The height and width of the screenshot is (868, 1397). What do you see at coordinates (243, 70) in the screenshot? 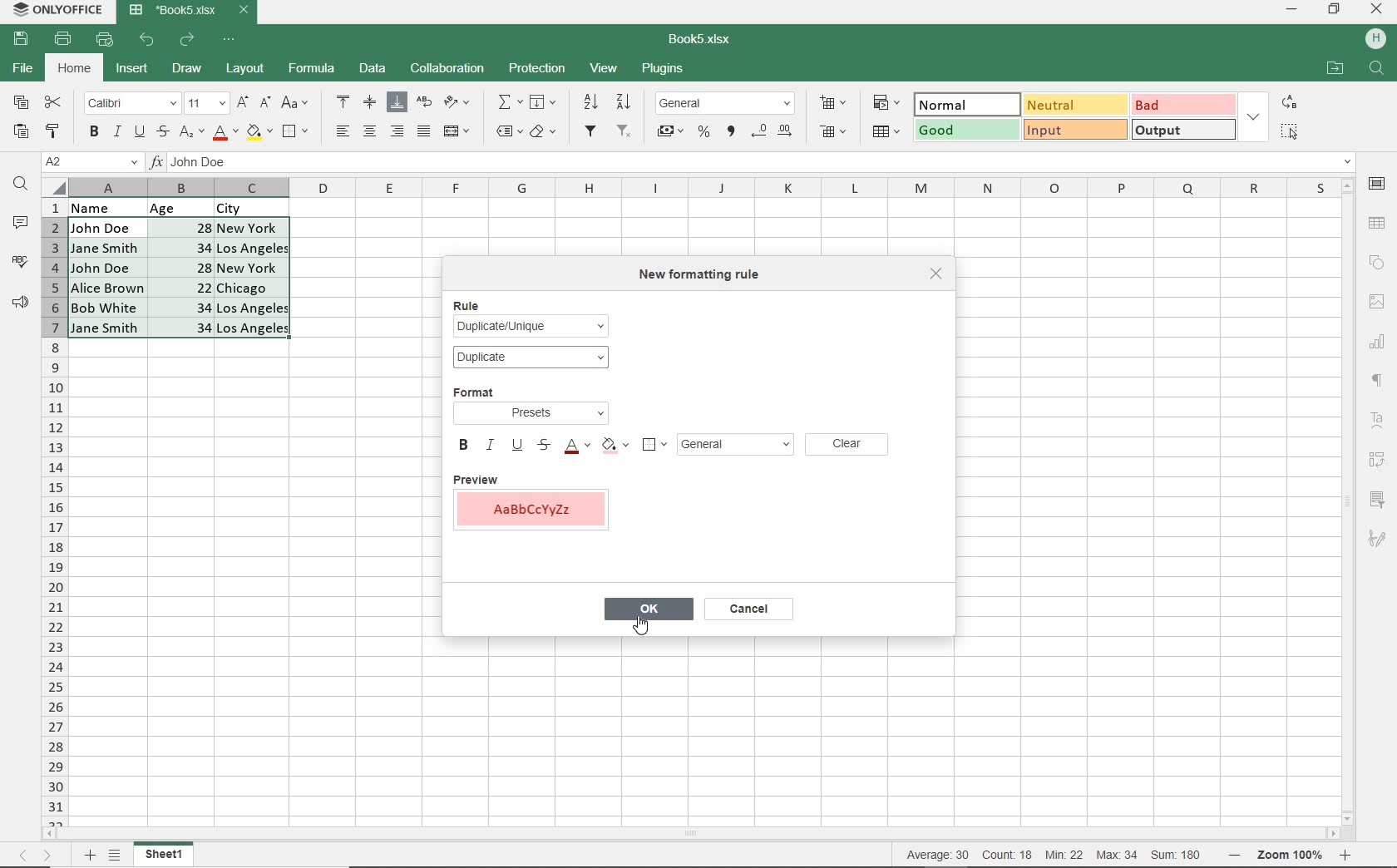
I see `LAYOUT` at bounding box center [243, 70].